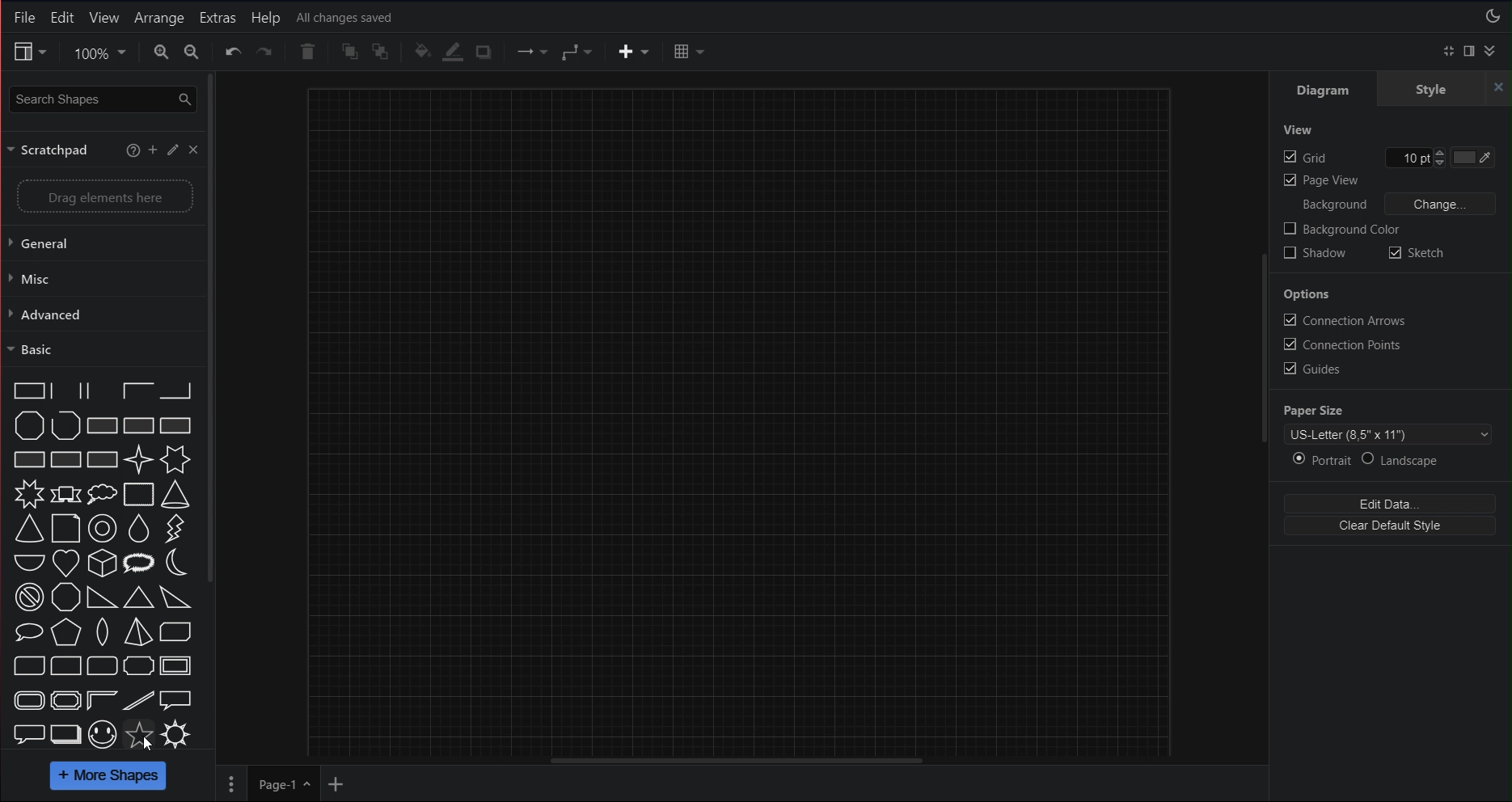  What do you see at coordinates (335, 785) in the screenshot?
I see `Add Page` at bounding box center [335, 785].